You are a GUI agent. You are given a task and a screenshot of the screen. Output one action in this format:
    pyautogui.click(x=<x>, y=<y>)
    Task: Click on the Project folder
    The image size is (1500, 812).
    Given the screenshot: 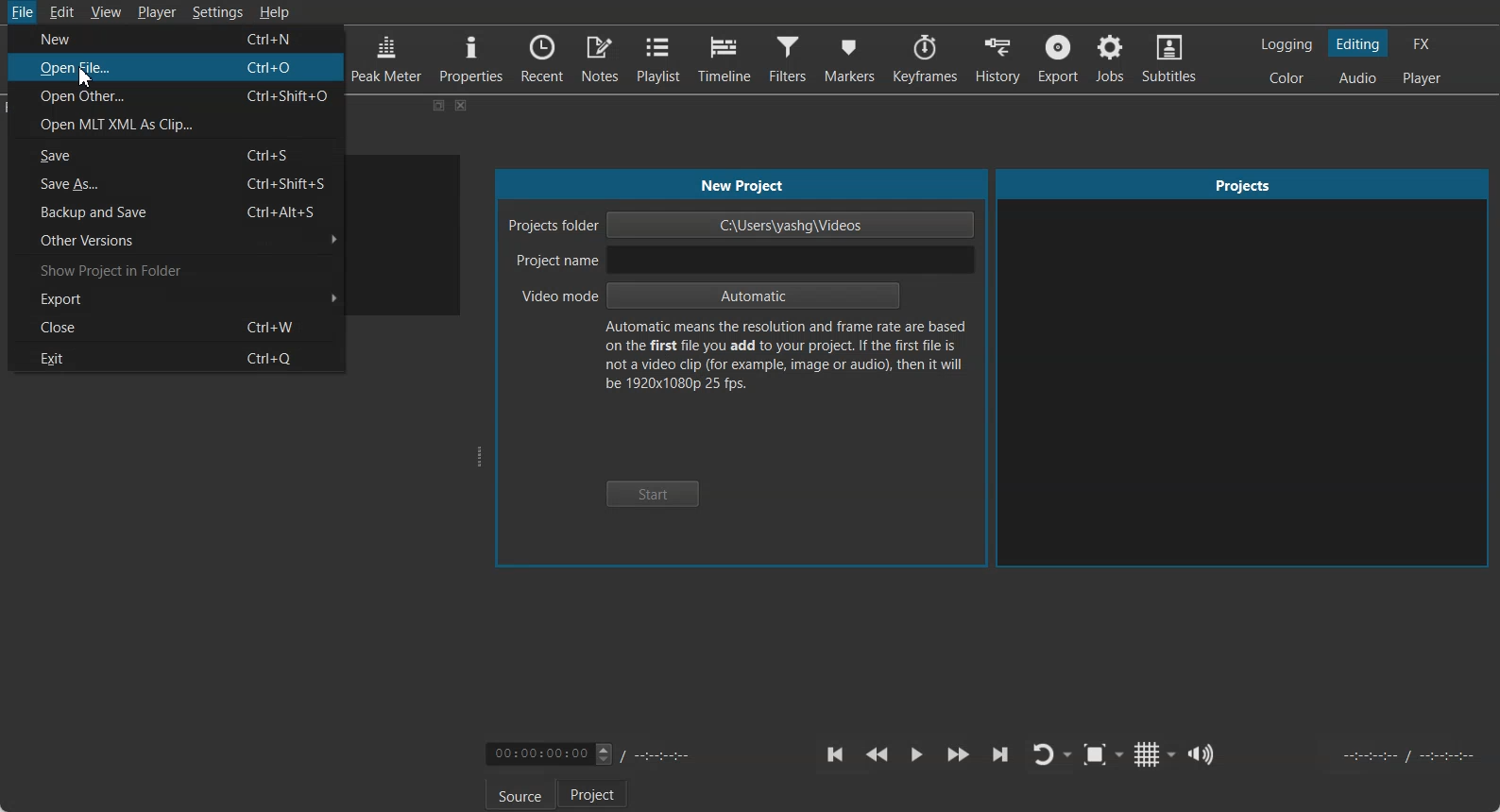 What is the action you would take?
    pyautogui.click(x=552, y=223)
    